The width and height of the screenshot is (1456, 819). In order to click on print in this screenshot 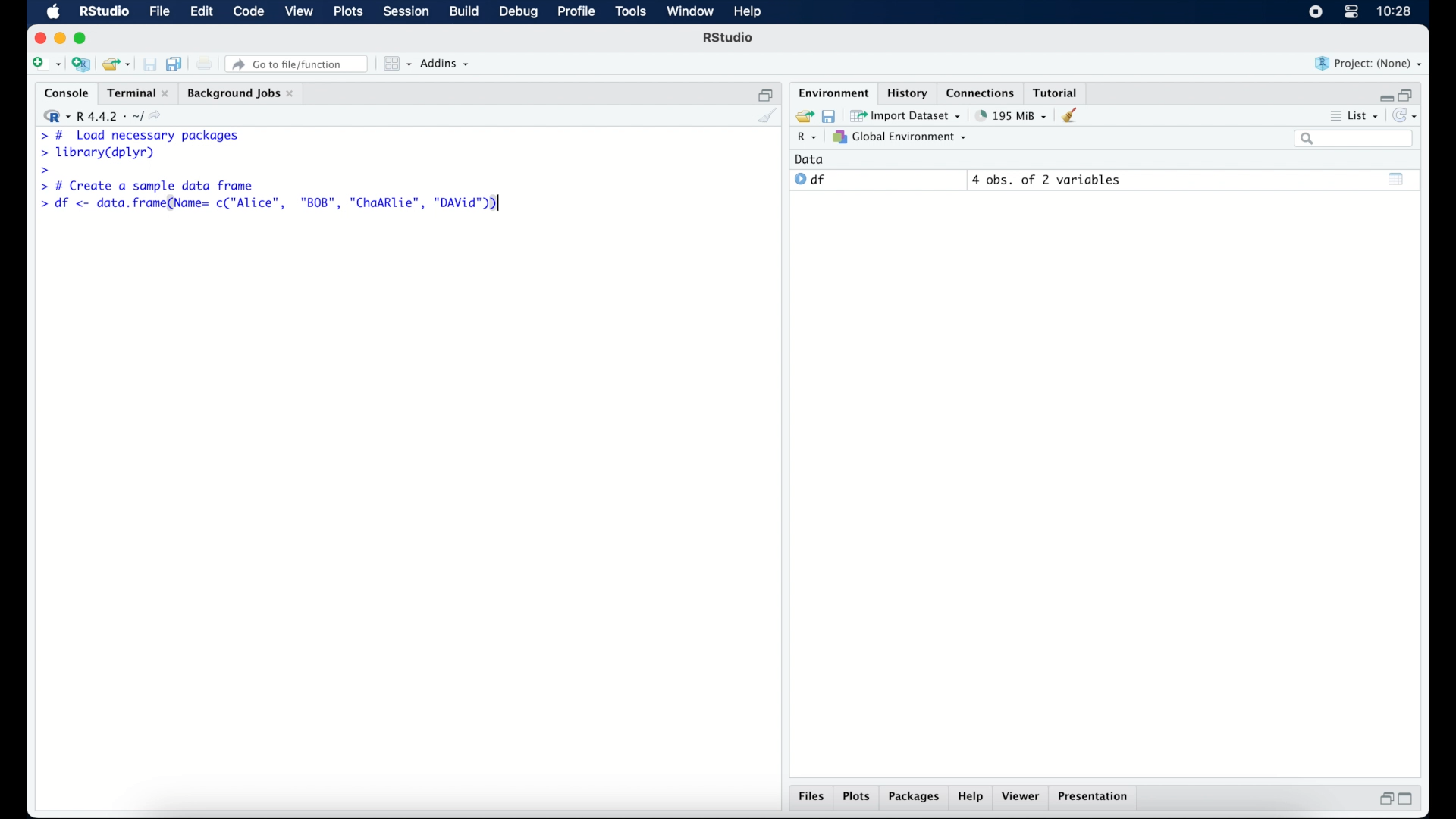, I will do `click(205, 64)`.